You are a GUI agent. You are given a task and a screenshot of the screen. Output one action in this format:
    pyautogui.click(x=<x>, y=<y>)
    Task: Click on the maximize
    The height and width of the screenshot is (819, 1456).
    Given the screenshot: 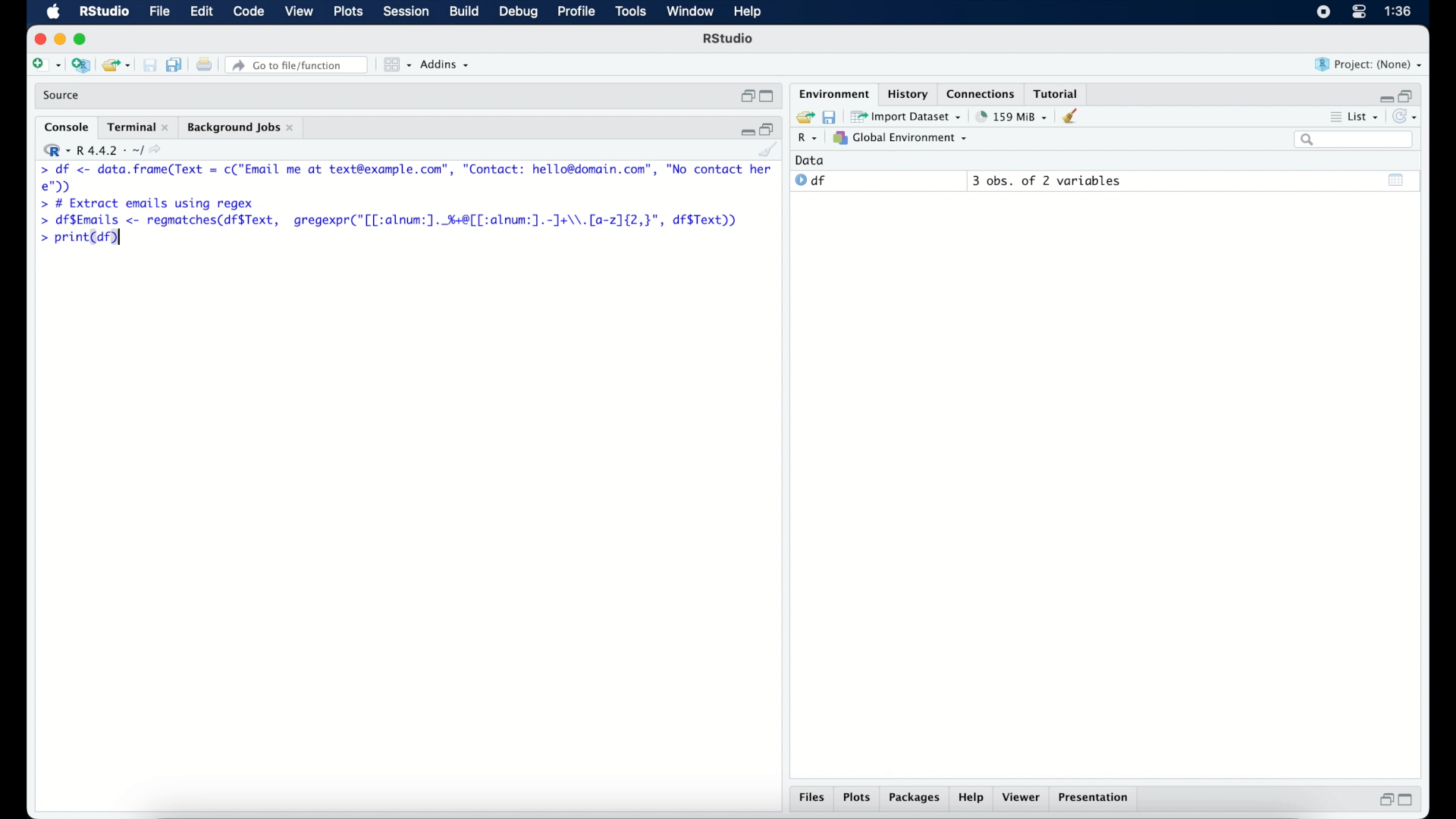 What is the action you would take?
    pyautogui.click(x=1407, y=801)
    